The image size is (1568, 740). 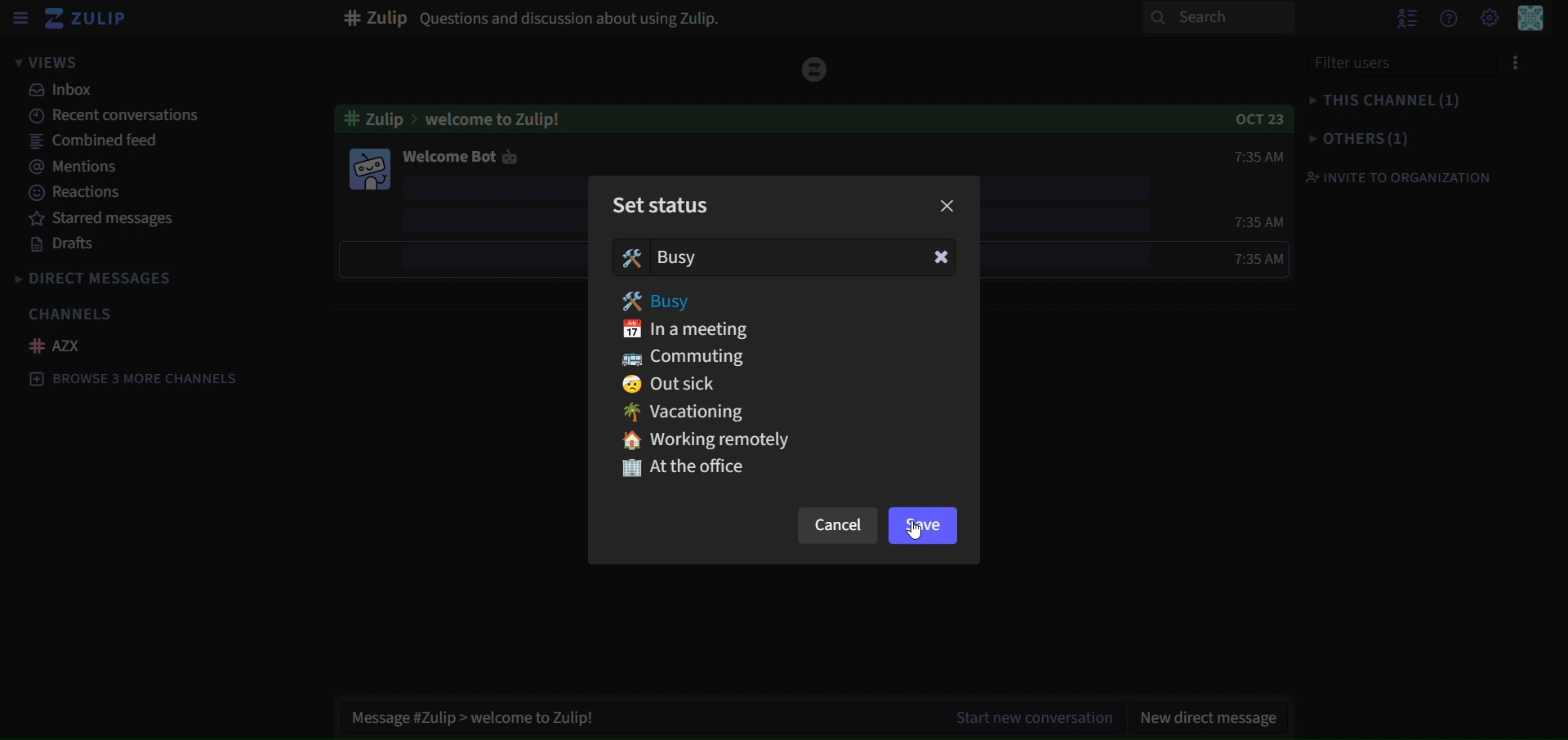 I want to click on welcome bot, so click(x=459, y=157).